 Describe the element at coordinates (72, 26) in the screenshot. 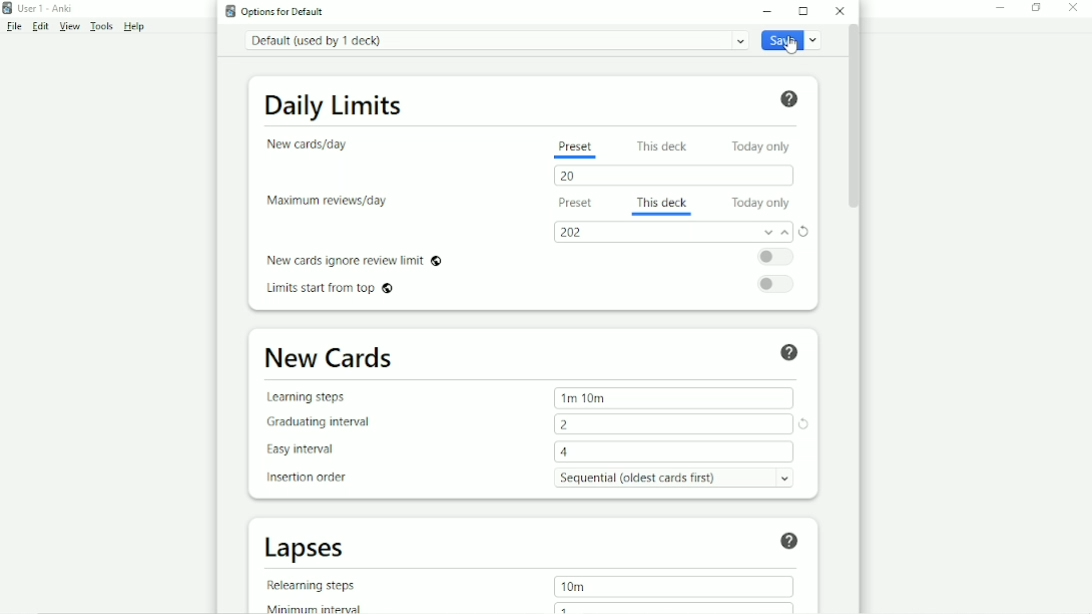

I see `View` at that location.